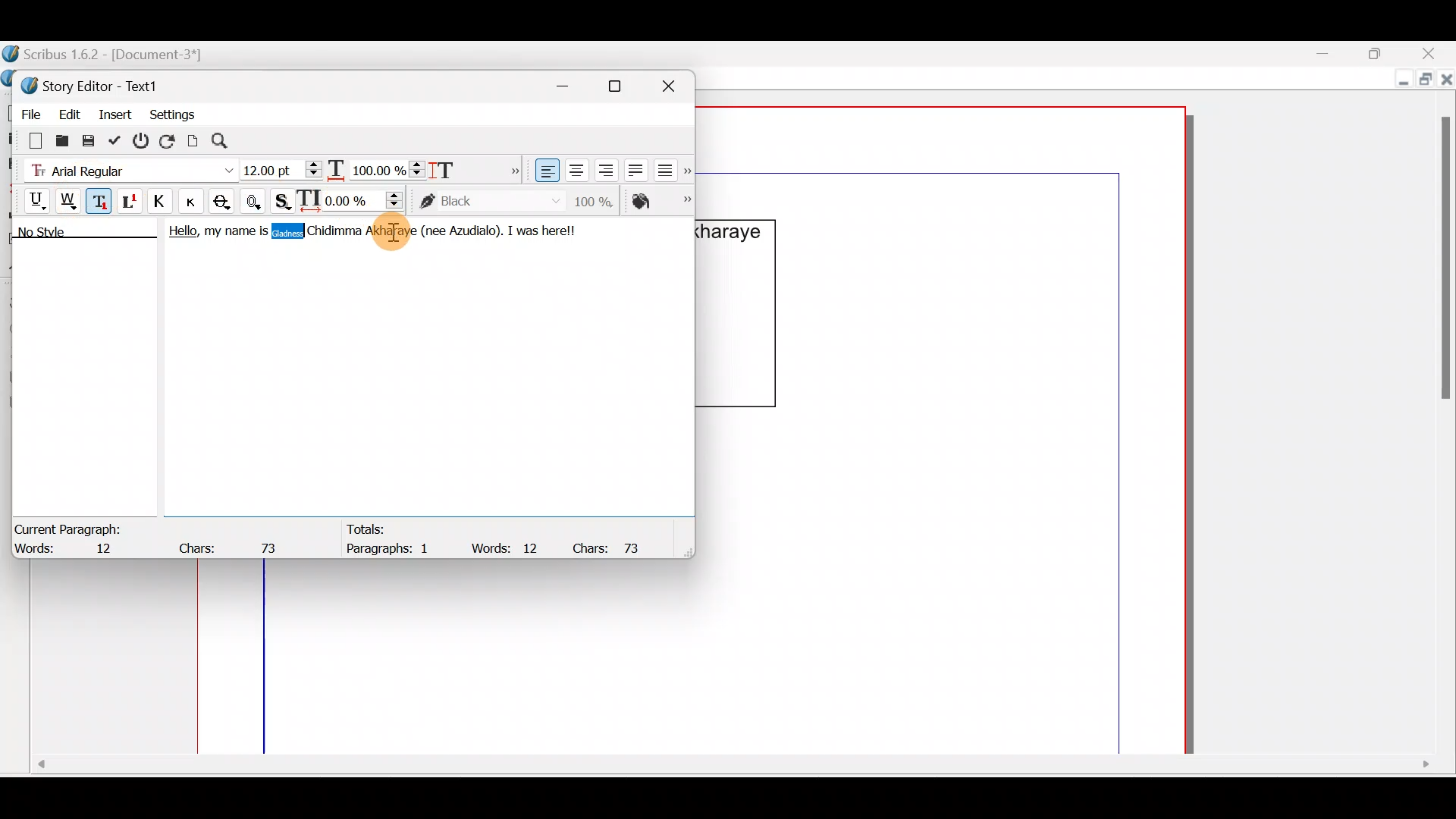 This screenshot has width=1456, height=819. I want to click on Maximize, so click(1384, 52).